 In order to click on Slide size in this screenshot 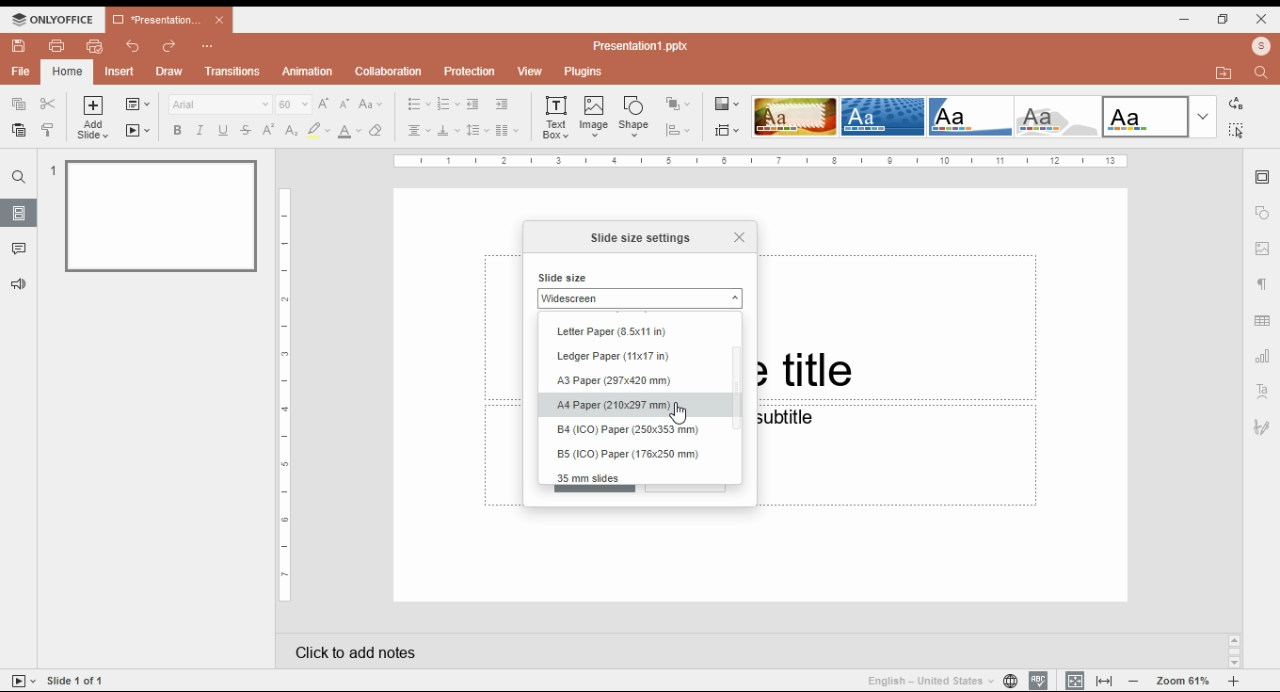, I will do `click(564, 277)`.